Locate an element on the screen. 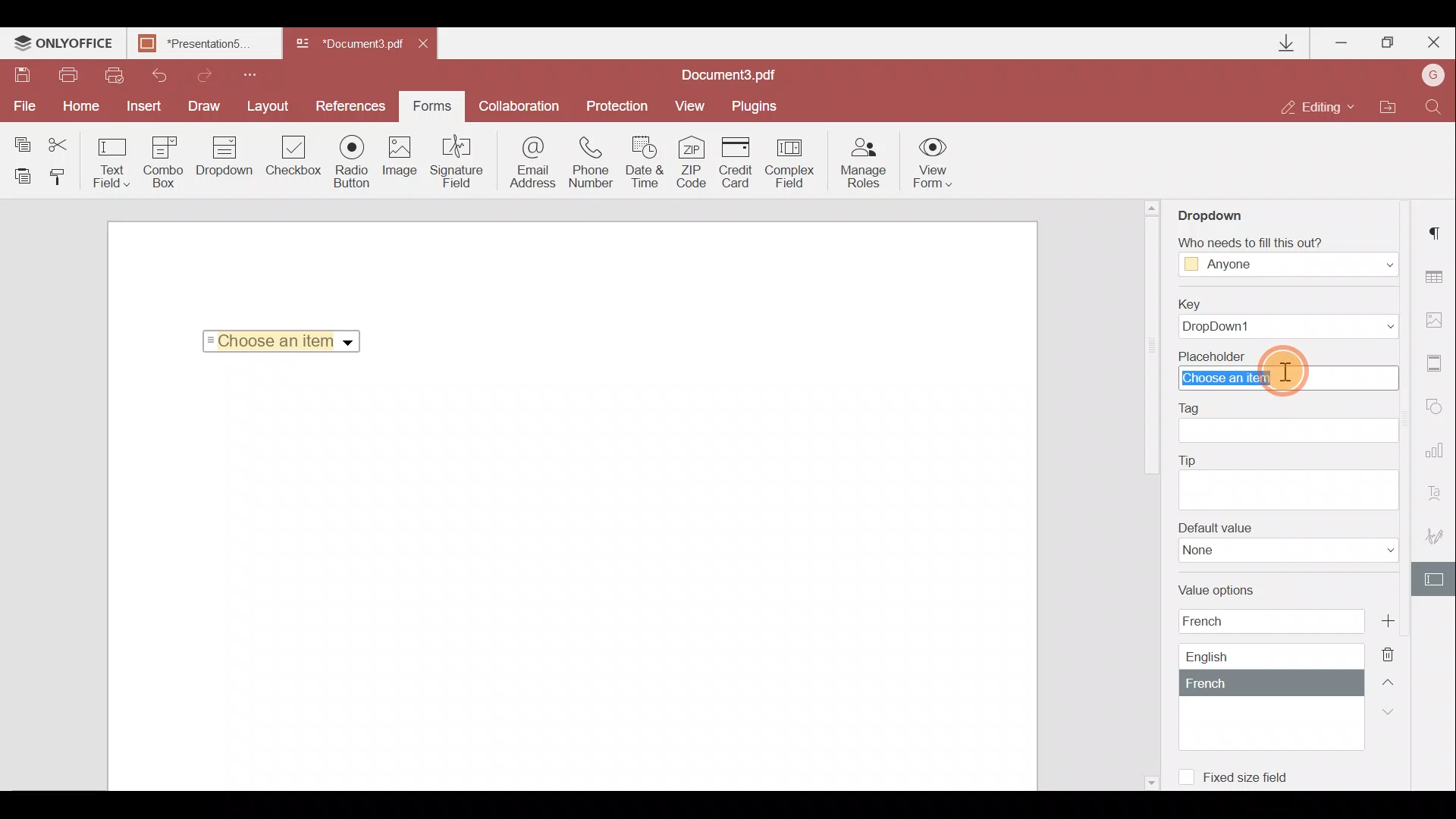  Placeholder is located at coordinates (1284, 367).